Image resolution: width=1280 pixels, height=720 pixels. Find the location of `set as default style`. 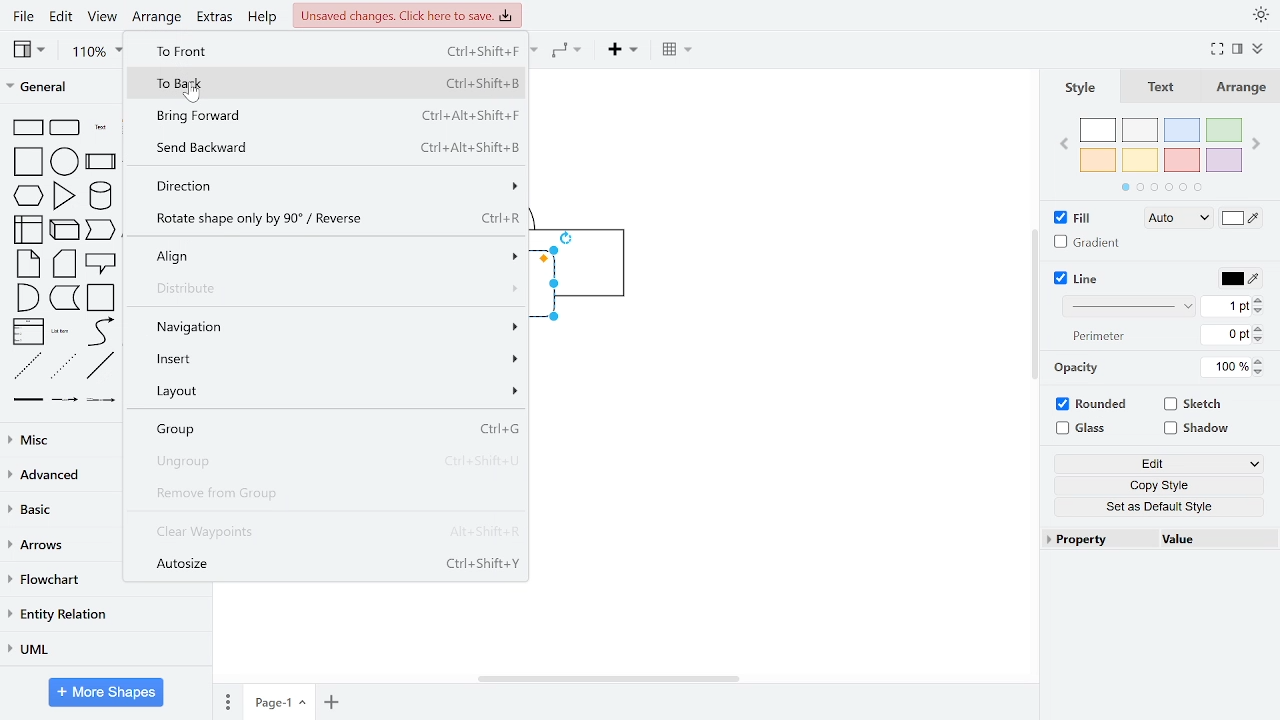

set as default style is located at coordinates (1153, 506).